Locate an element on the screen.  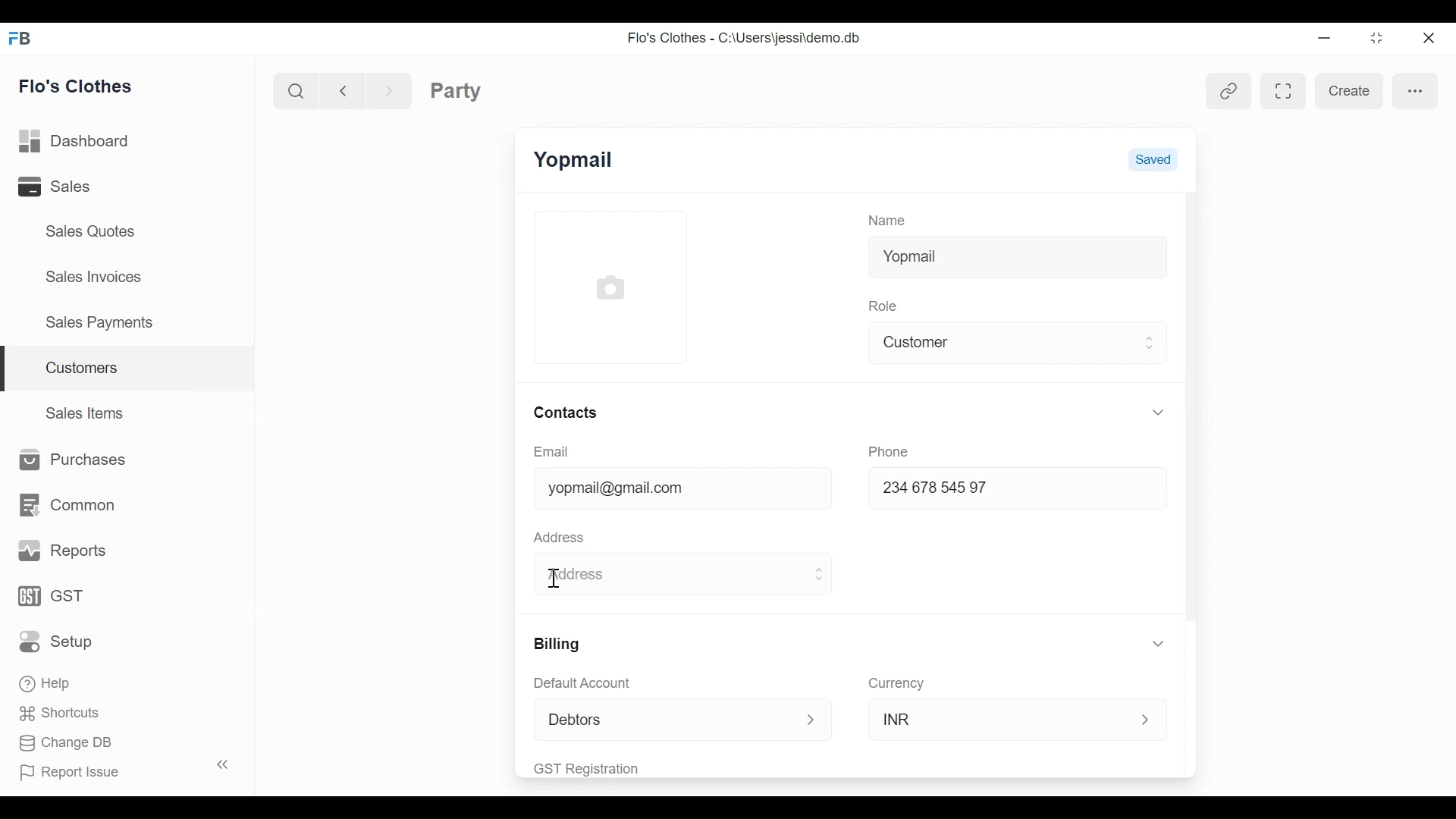
Phone is located at coordinates (889, 450).